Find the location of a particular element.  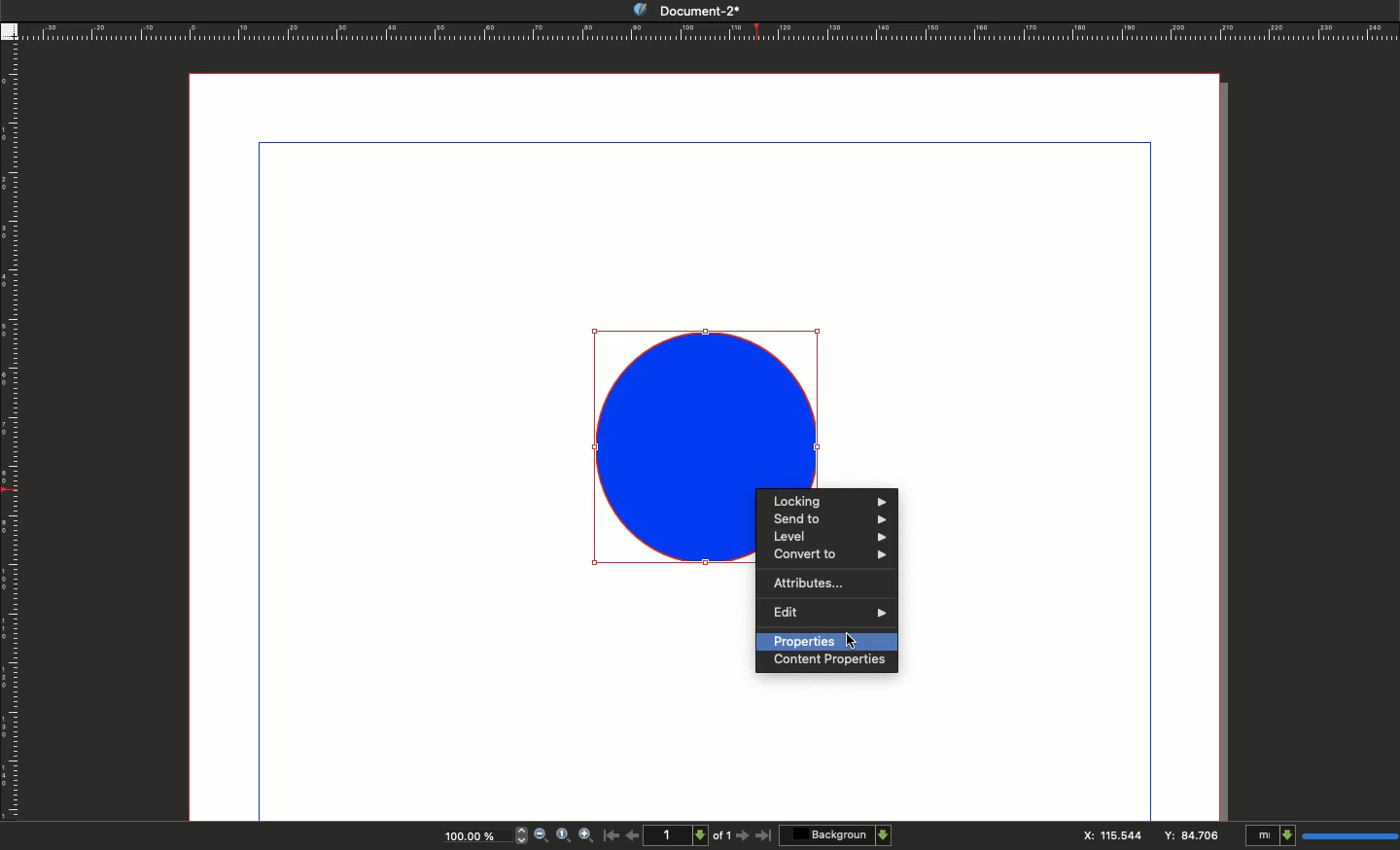

Zoom to is located at coordinates (563, 834).